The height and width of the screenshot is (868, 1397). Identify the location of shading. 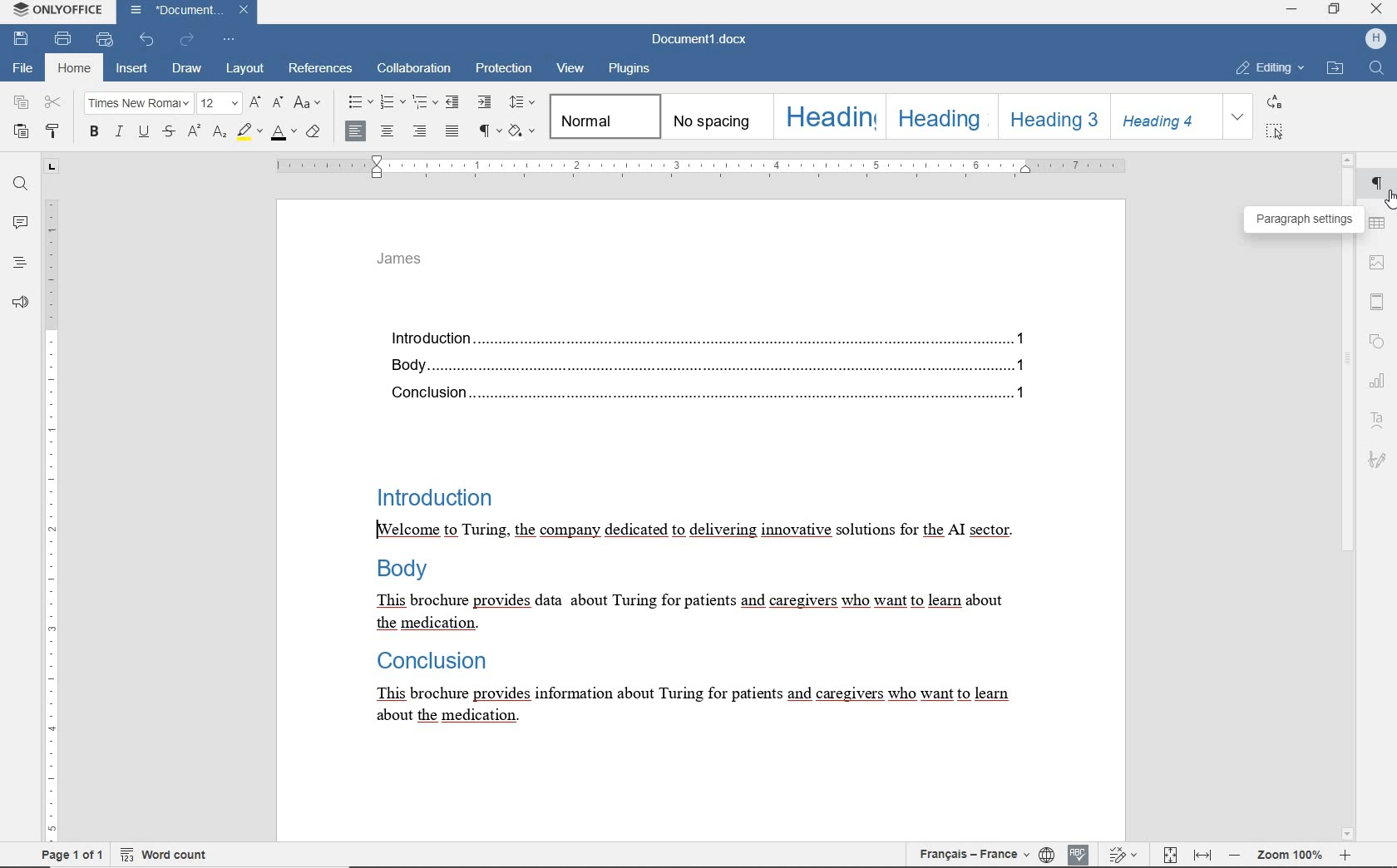
(522, 131).